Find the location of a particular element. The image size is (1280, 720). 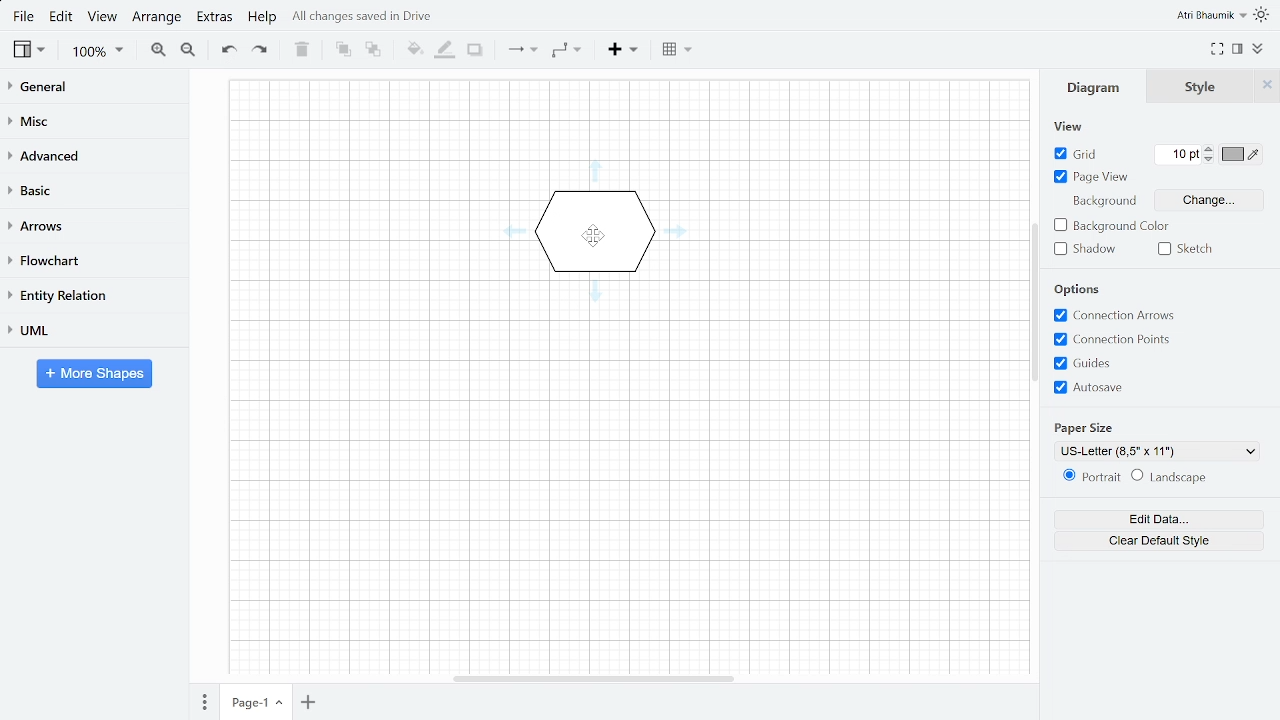

Landscape is located at coordinates (1170, 476).